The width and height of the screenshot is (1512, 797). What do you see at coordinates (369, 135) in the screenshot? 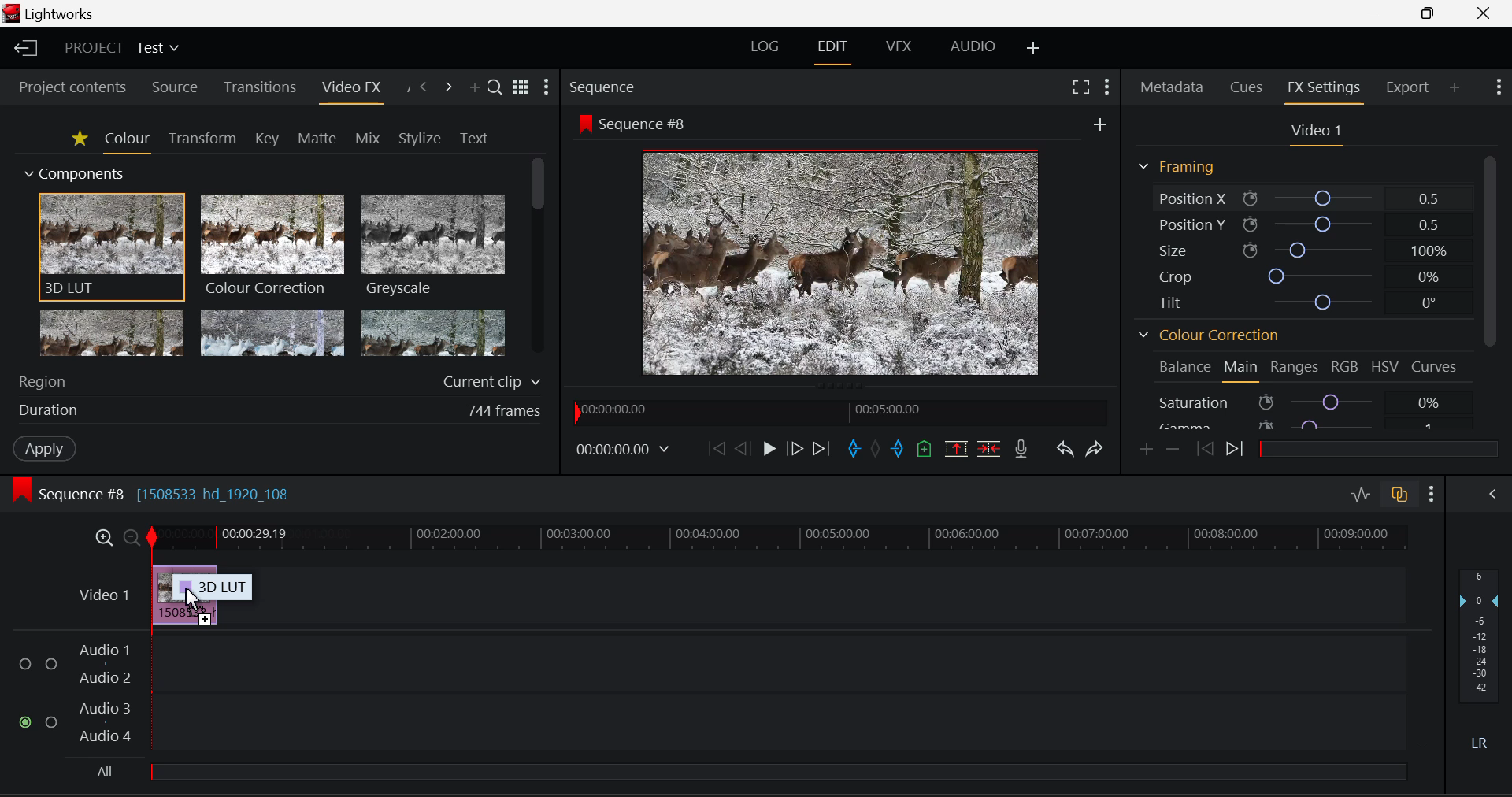
I see `Mix` at bounding box center [369, 135].